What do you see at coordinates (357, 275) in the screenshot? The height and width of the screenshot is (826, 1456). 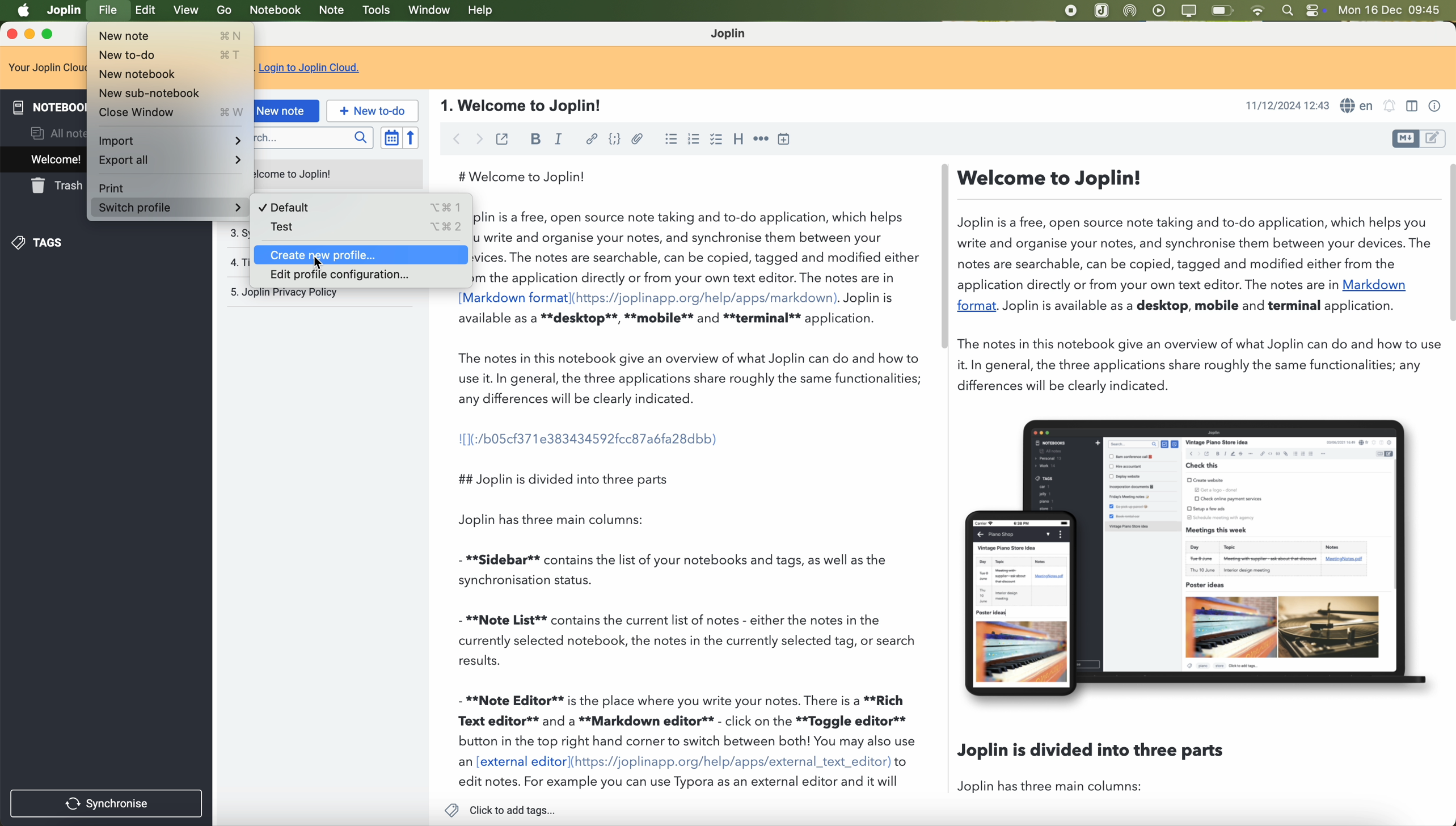 I see `Edit profile configuration...` at bounding box center [357, 275].